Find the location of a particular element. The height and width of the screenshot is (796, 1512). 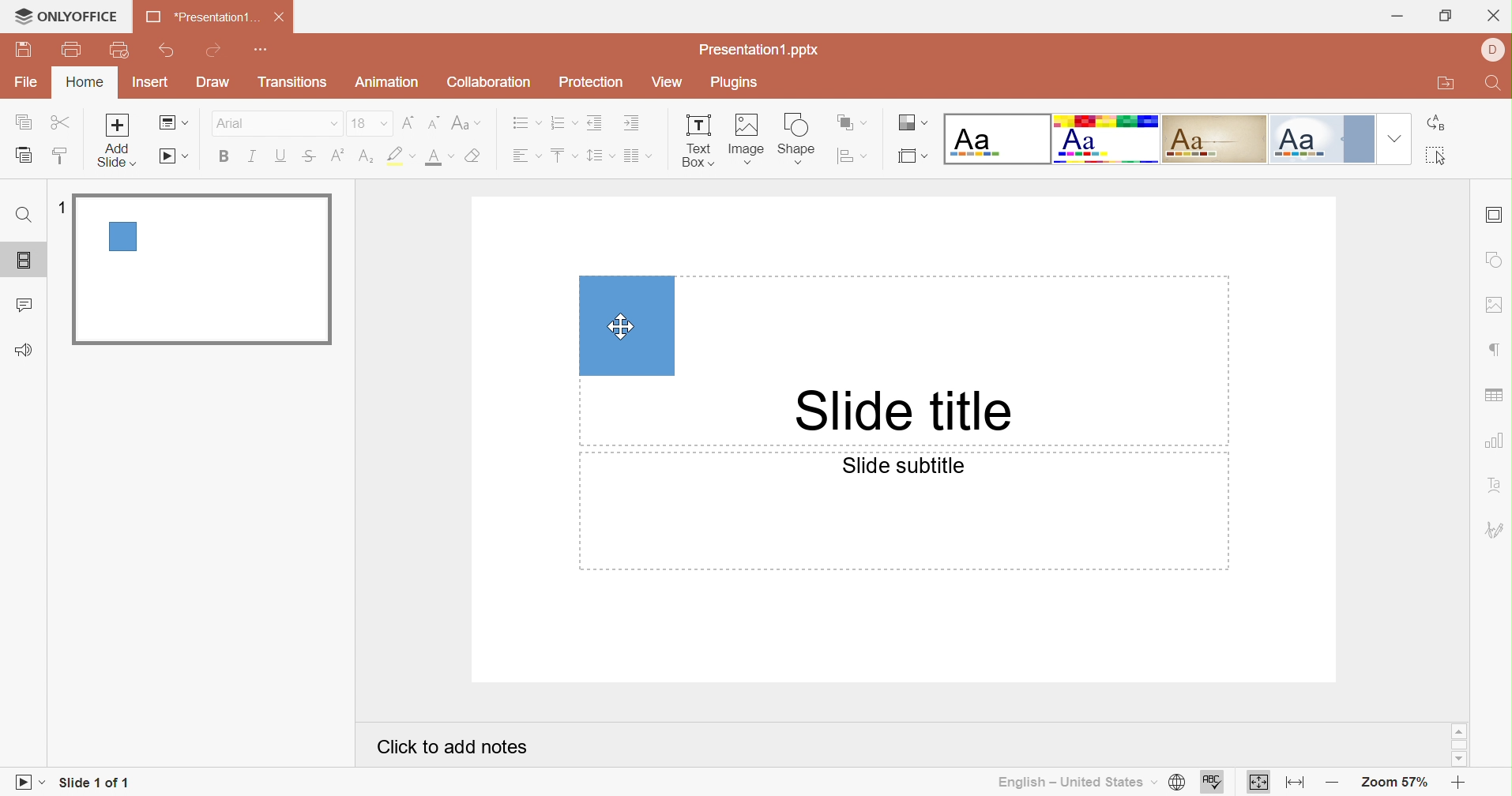

Official is located at coordinates (1322, 139).